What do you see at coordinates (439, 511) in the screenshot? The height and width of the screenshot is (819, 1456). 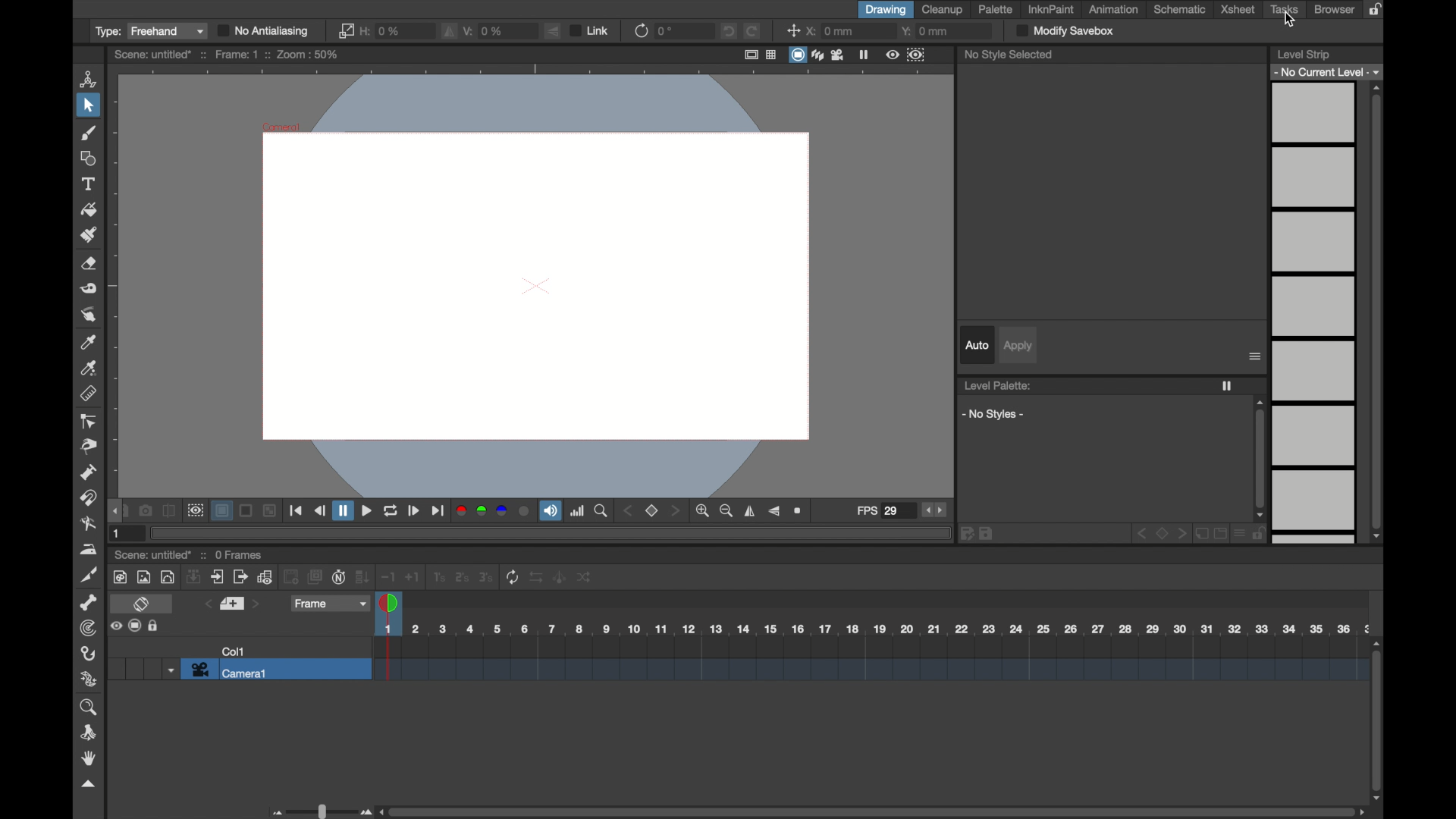 I see `last frame` at bounding box center [439, 511].